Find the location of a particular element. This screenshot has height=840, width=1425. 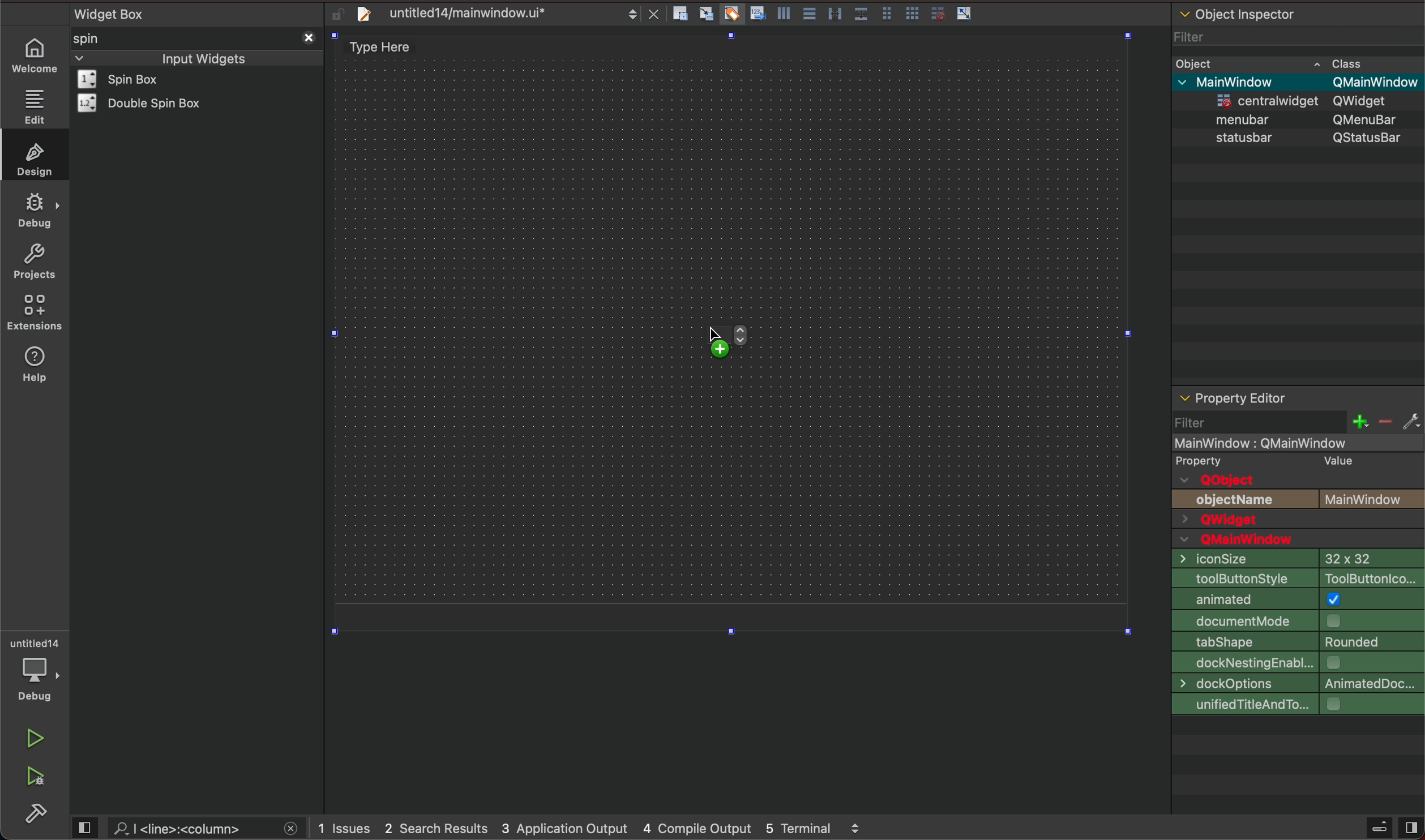

qwidget is located at coordinates (1298, 521).